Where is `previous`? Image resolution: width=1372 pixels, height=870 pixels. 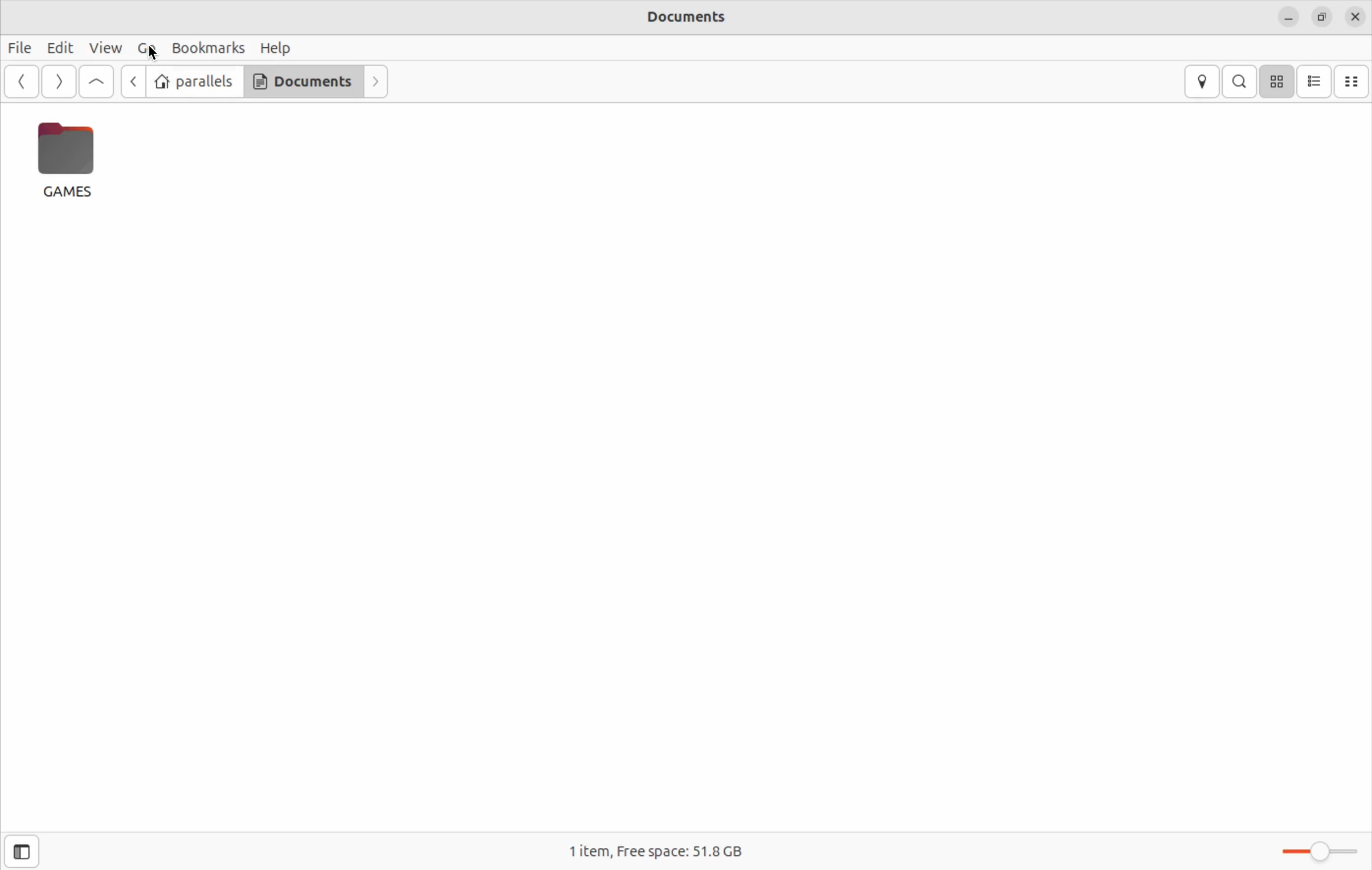 previous is located at coordinates (132, 83).